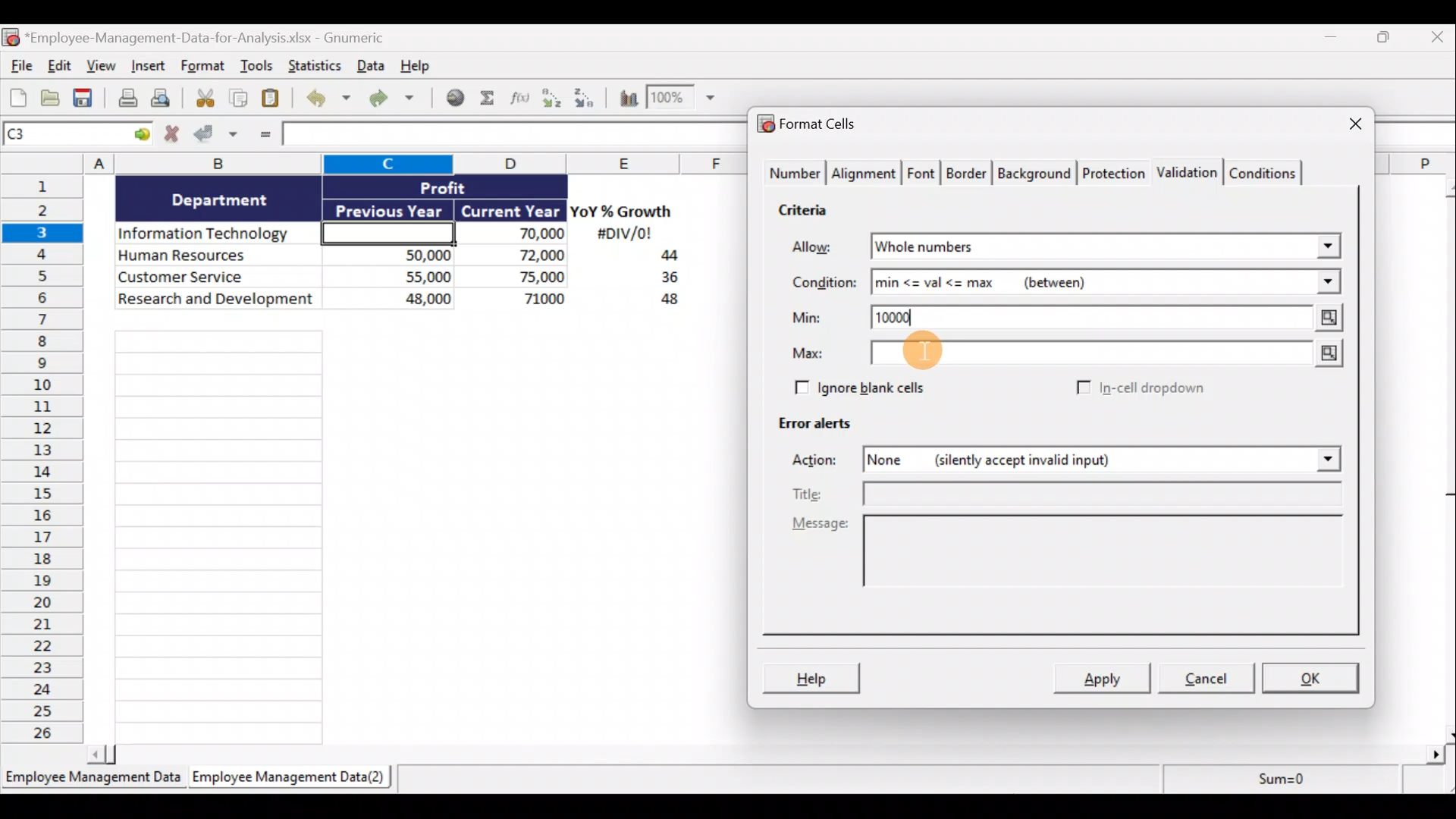  Describe the element at coordinates (172, 136) in the screenshot. I see `Cancel changes` at that location.